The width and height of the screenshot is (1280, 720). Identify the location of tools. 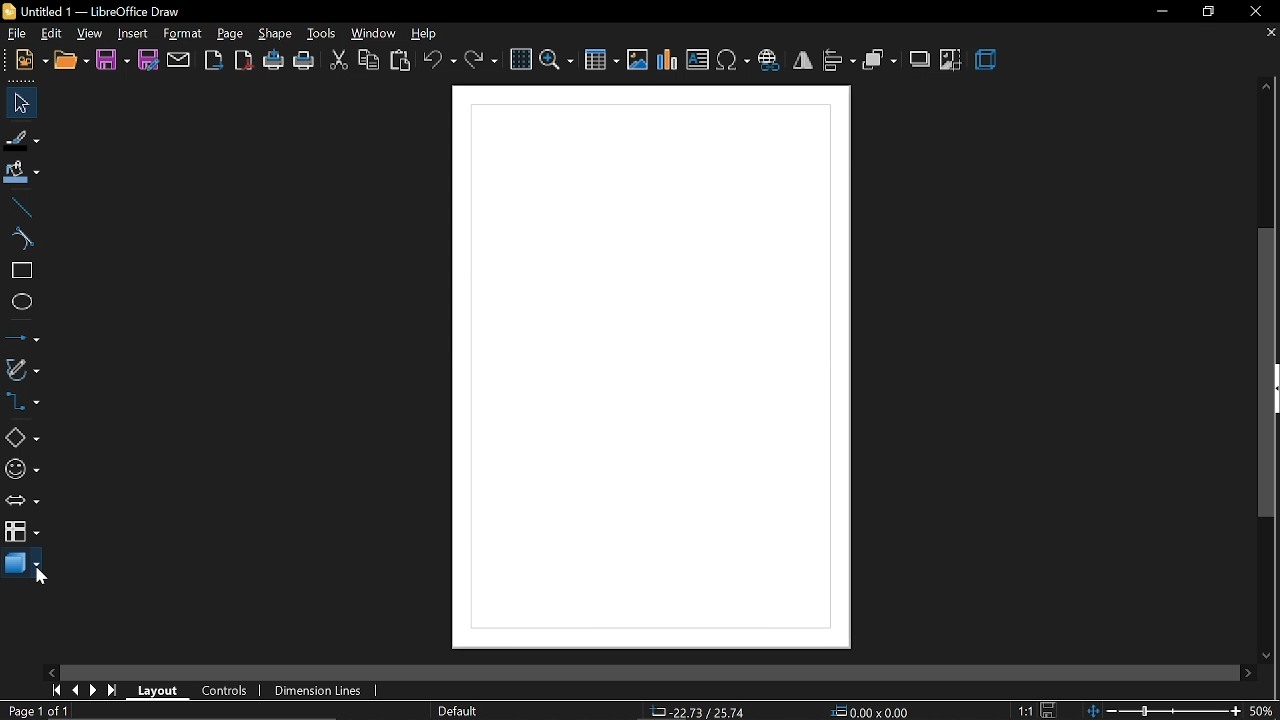
(324, 34).